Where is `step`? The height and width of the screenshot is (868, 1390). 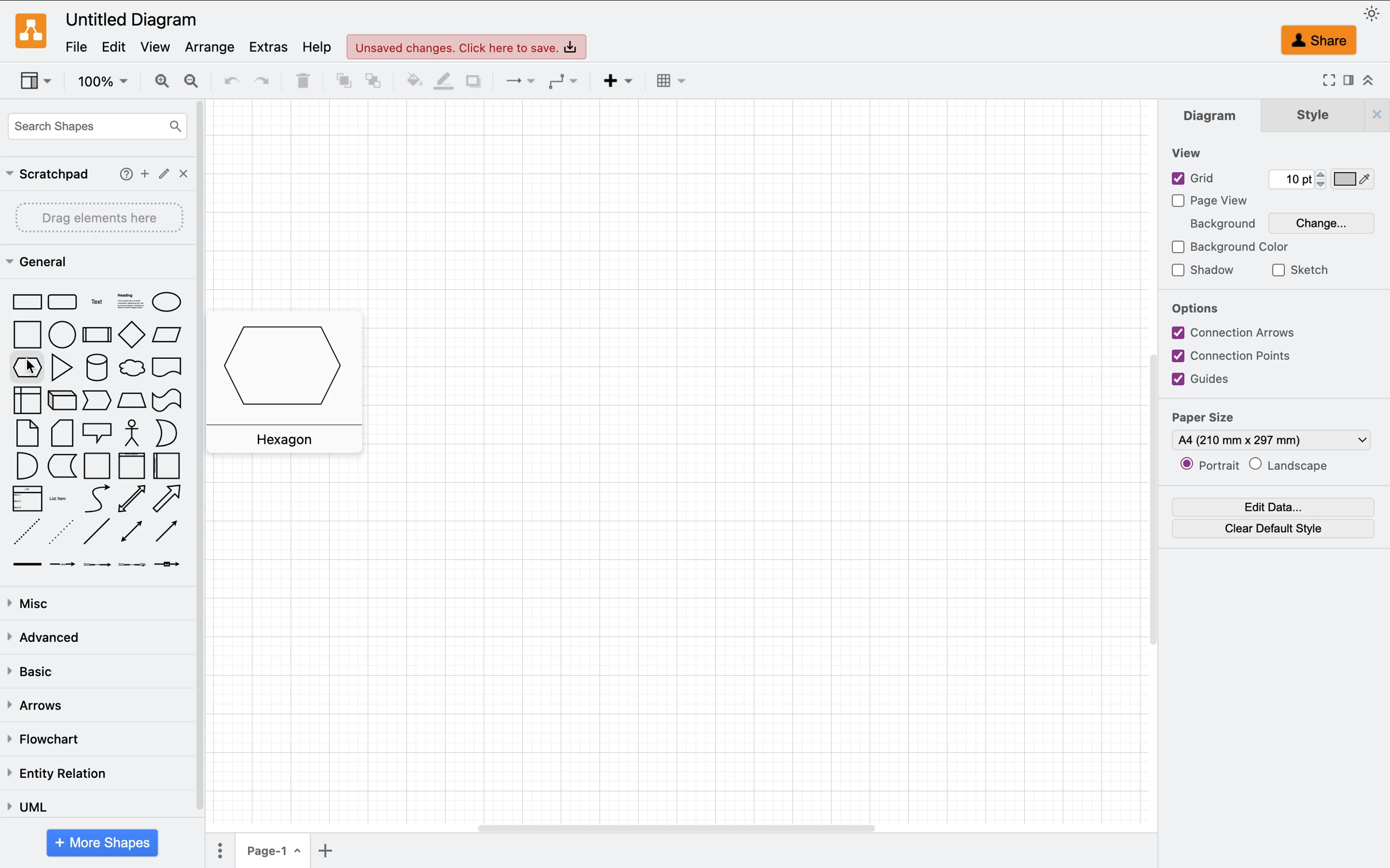 step is located at coordinates (94, 401).